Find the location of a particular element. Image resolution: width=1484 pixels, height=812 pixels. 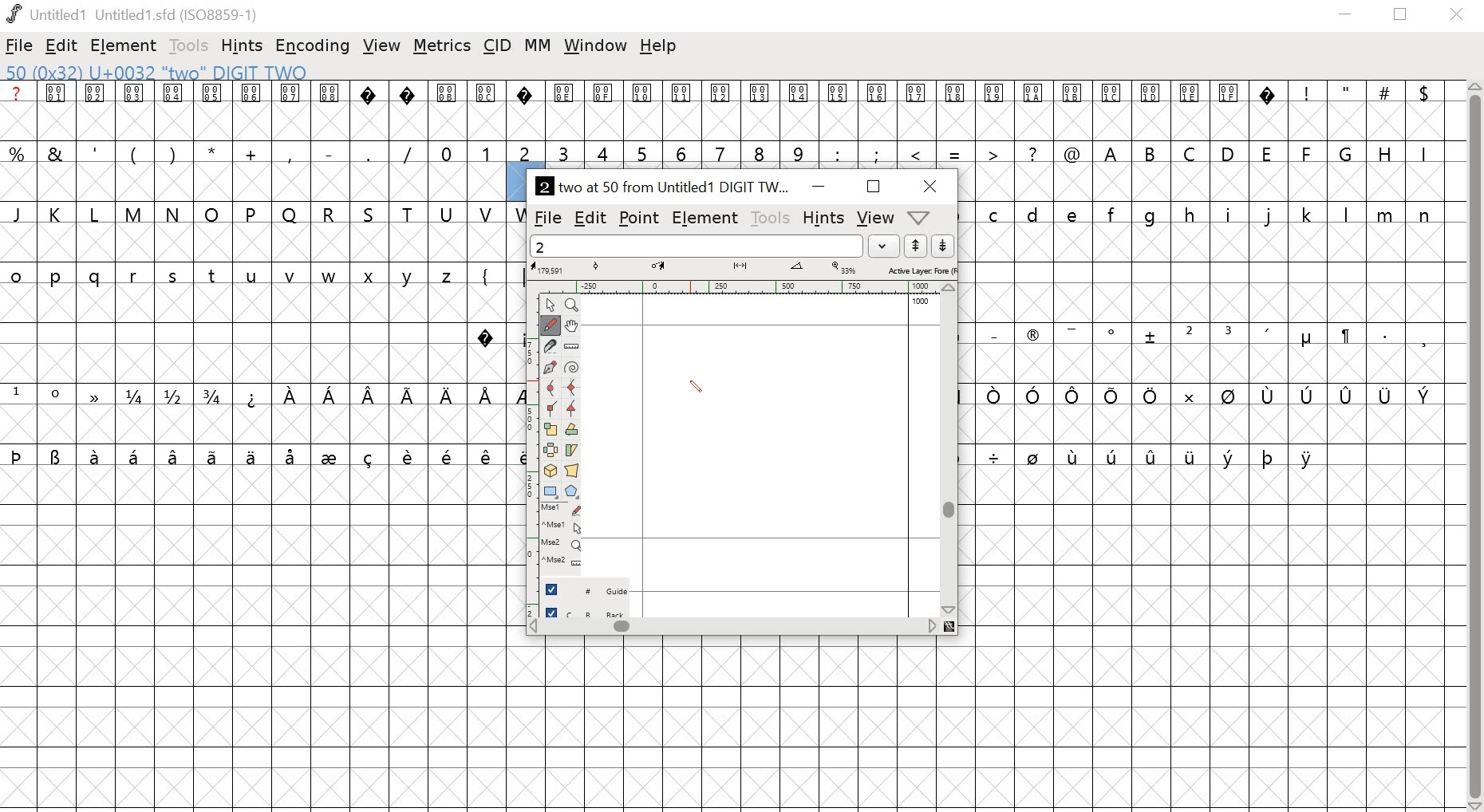

minimize is located at coordinates (1346, 16).